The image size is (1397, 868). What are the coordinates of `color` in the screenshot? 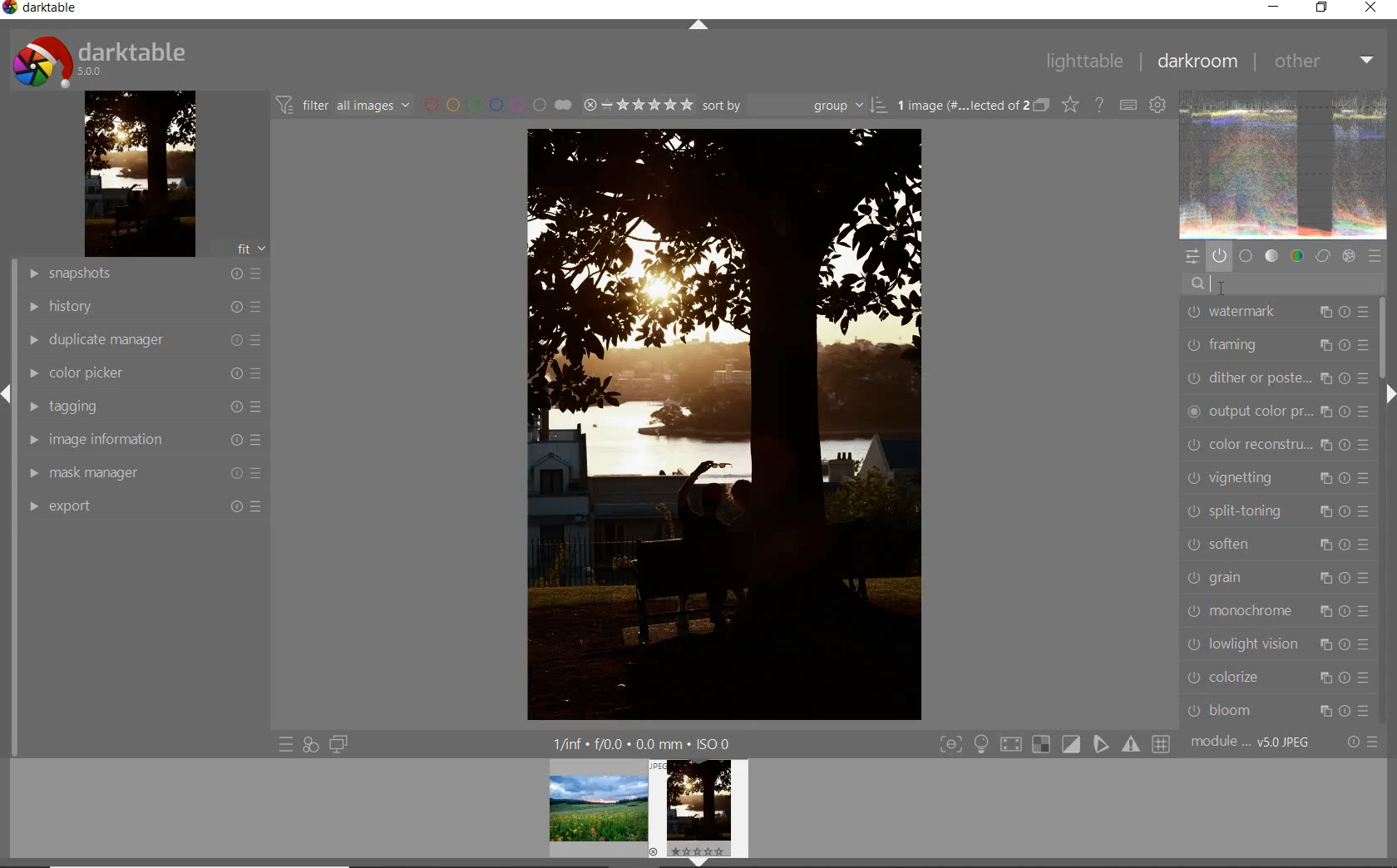 It's located at (1298, 254).